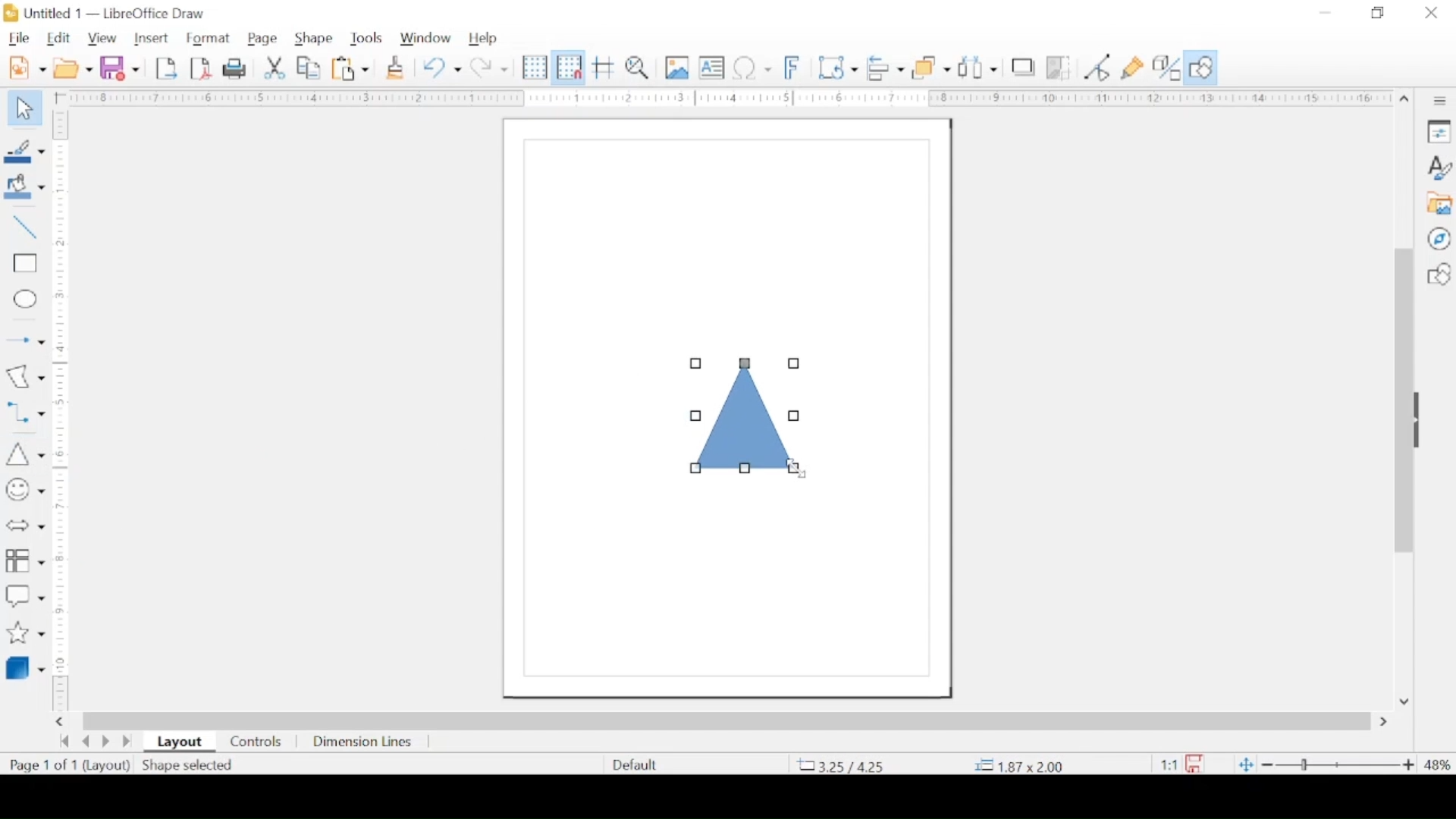  What do you see at coordinates (24, 410) in the screenshot?
I see `connectors` at bounding box center [24, 410].